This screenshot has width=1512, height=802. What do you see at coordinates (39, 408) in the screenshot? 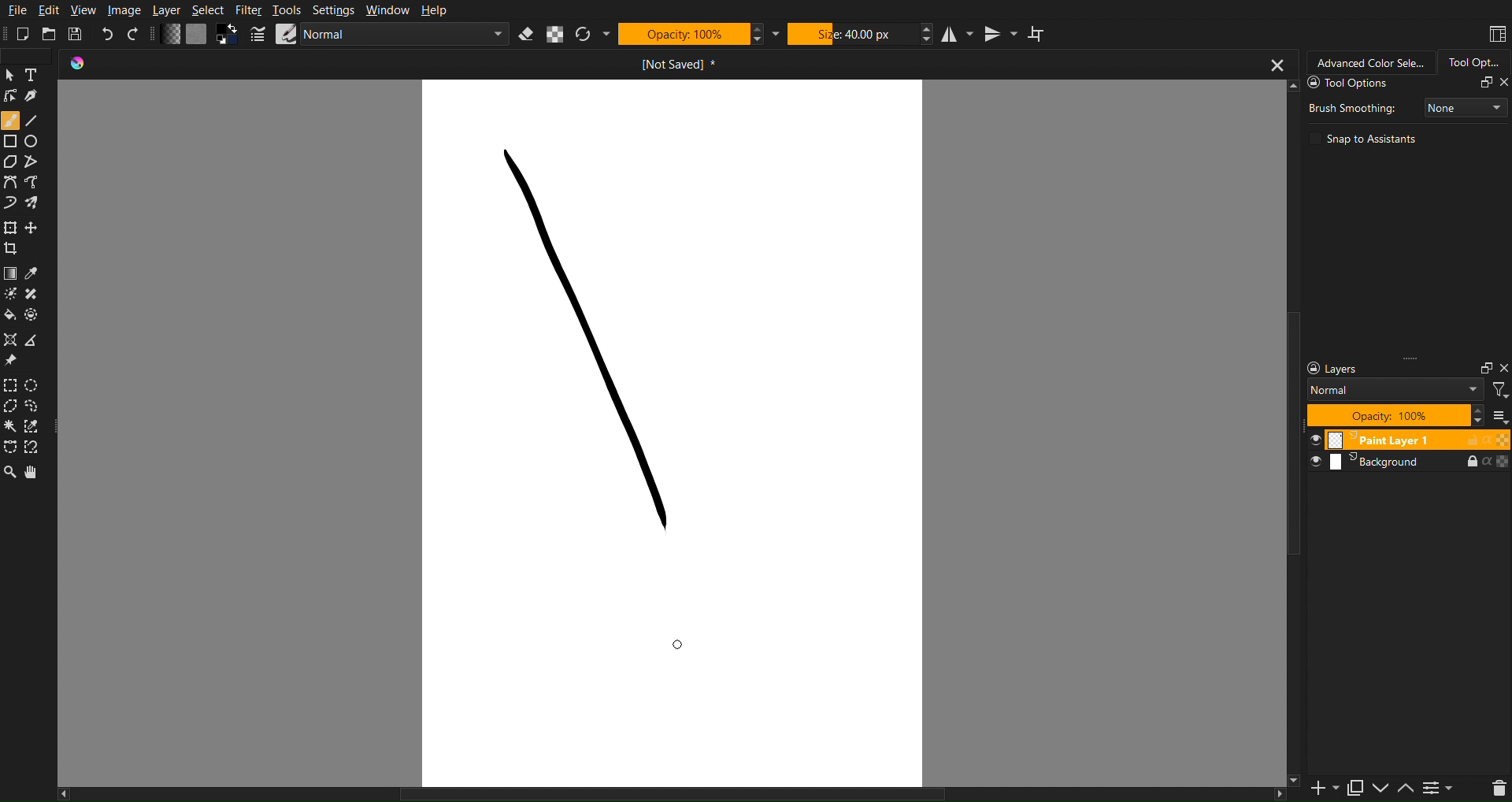
I see `Custom Shape Marquee Tool` at bounding box center [39, 408].